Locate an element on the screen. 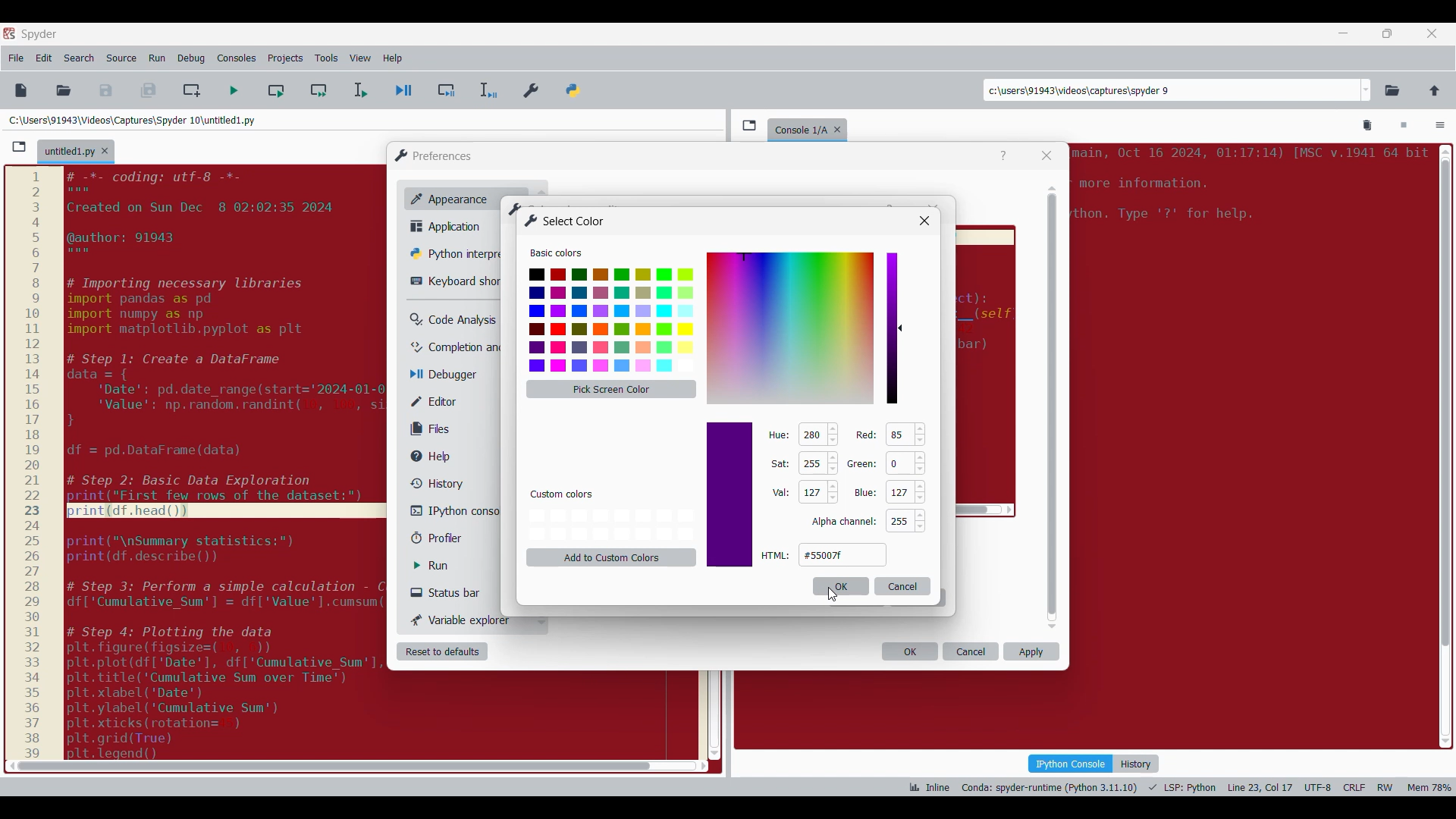 The image size is (1456, 819). 136 is located at coordinates (899, 435).